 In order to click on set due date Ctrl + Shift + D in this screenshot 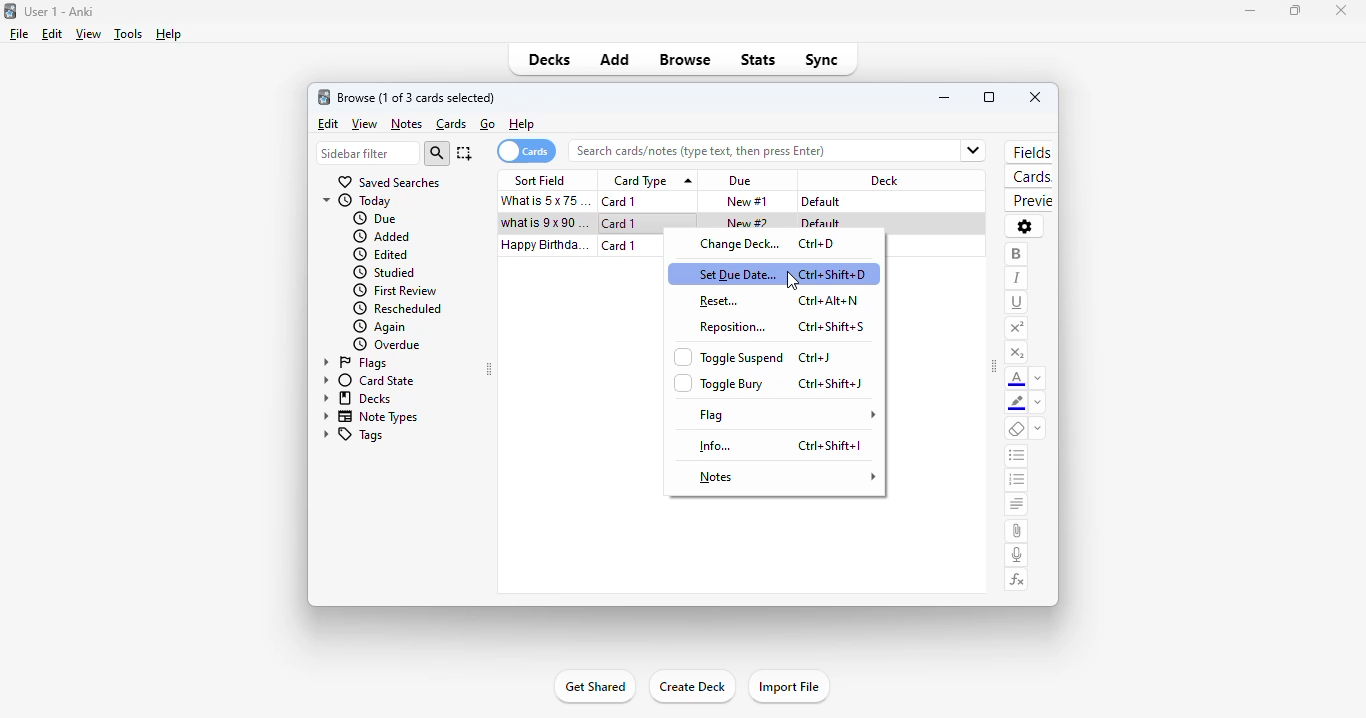, I will do `click(776, 272)`.